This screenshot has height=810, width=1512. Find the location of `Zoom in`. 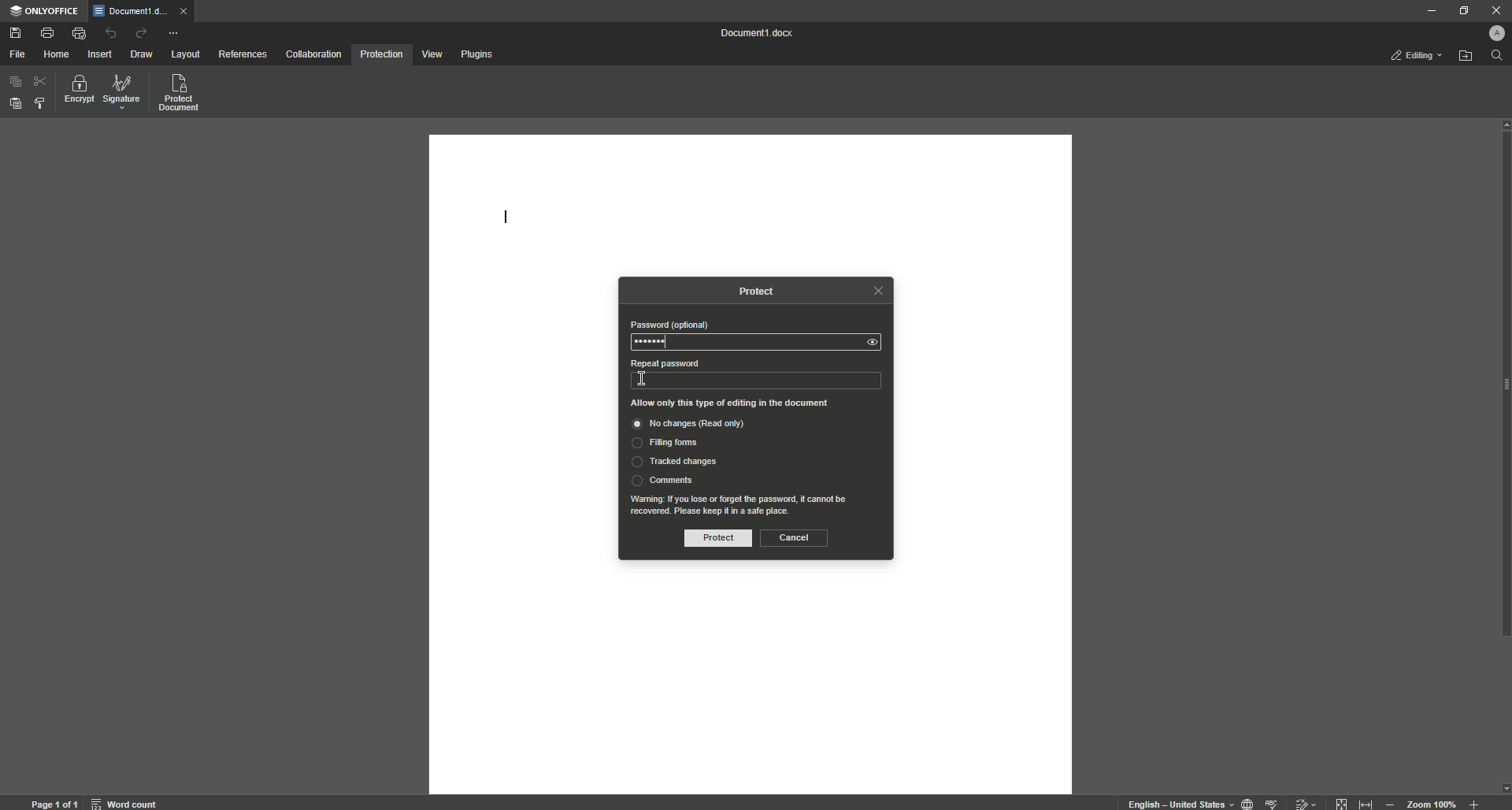

Zoom in is located at coordinates (1472, 803).